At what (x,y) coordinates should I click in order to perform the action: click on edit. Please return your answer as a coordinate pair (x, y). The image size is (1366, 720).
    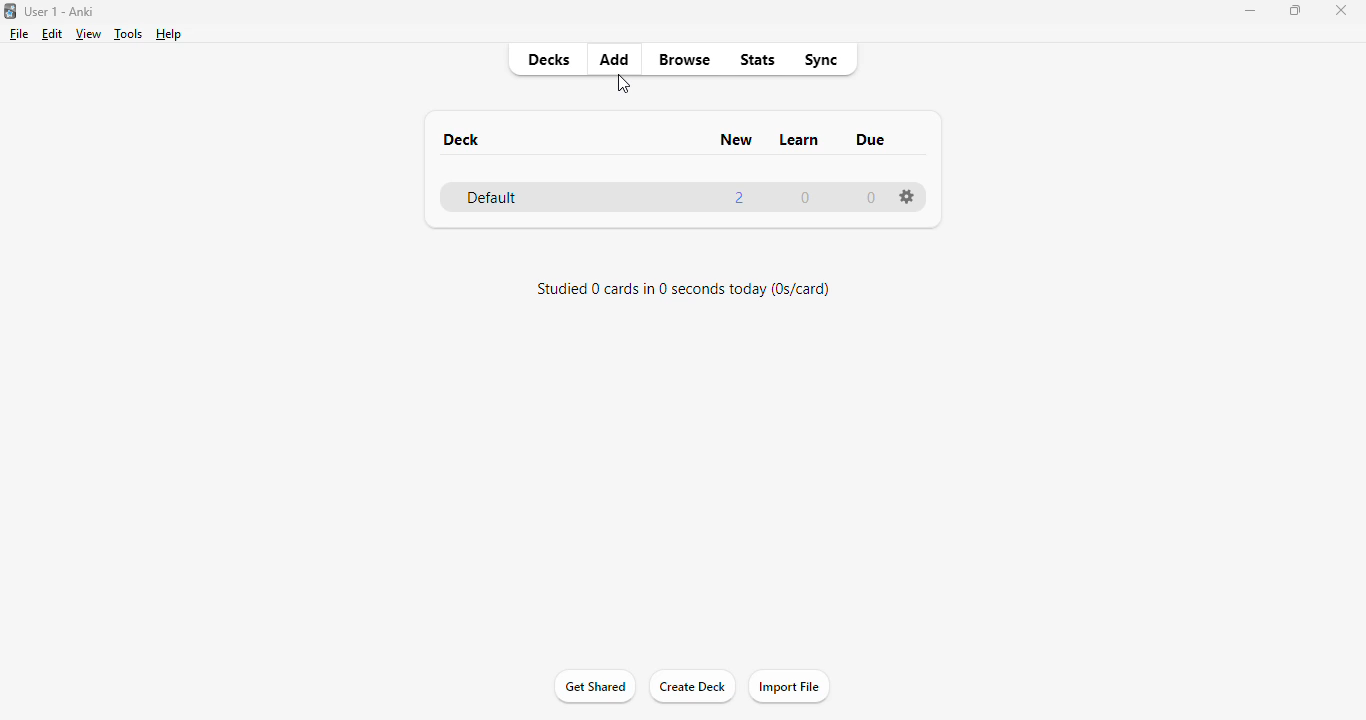
    Looking at the image, I should click on (53, 33).